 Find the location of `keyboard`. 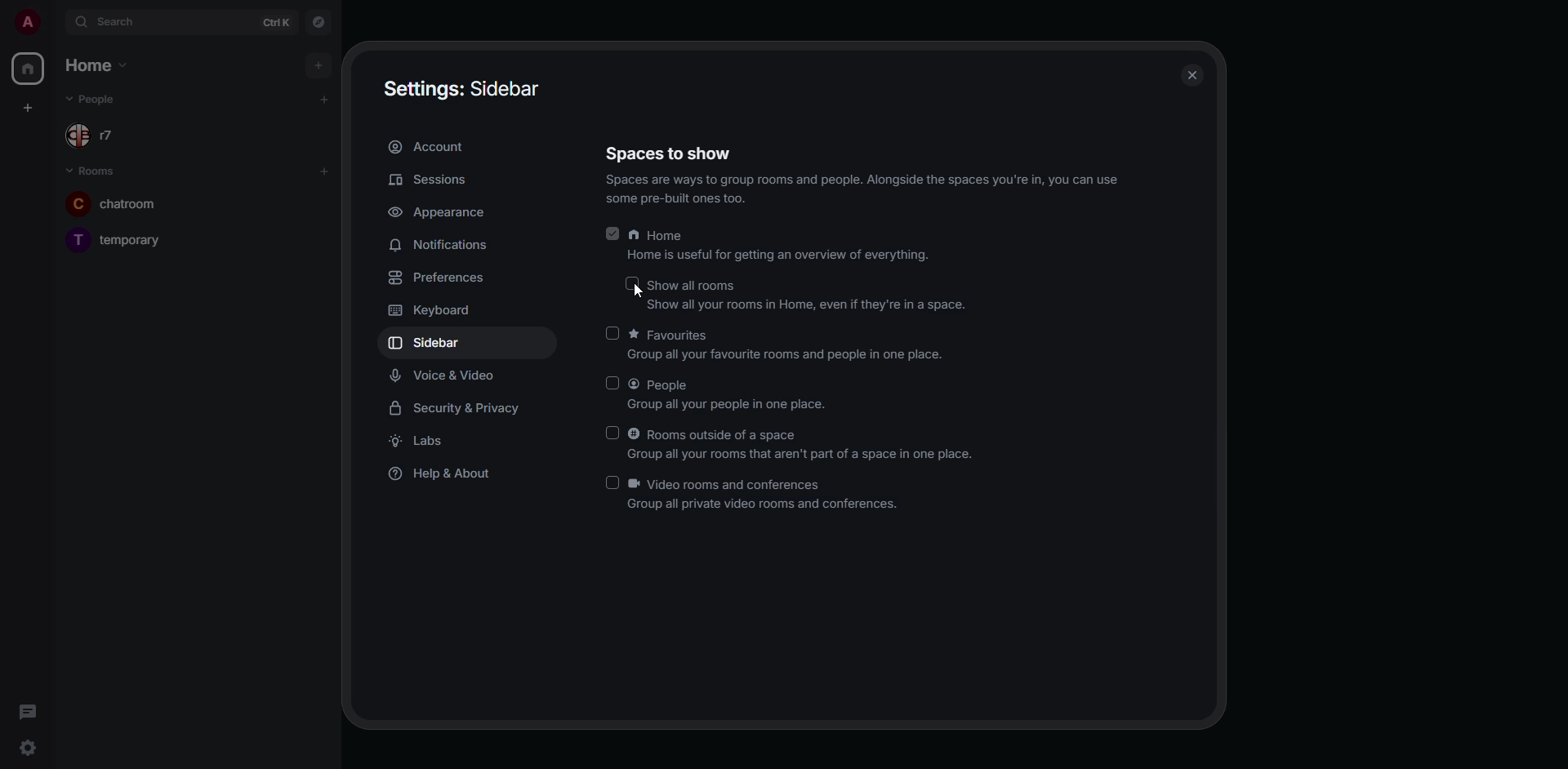

keyboard is located at coordinates (442, 312).